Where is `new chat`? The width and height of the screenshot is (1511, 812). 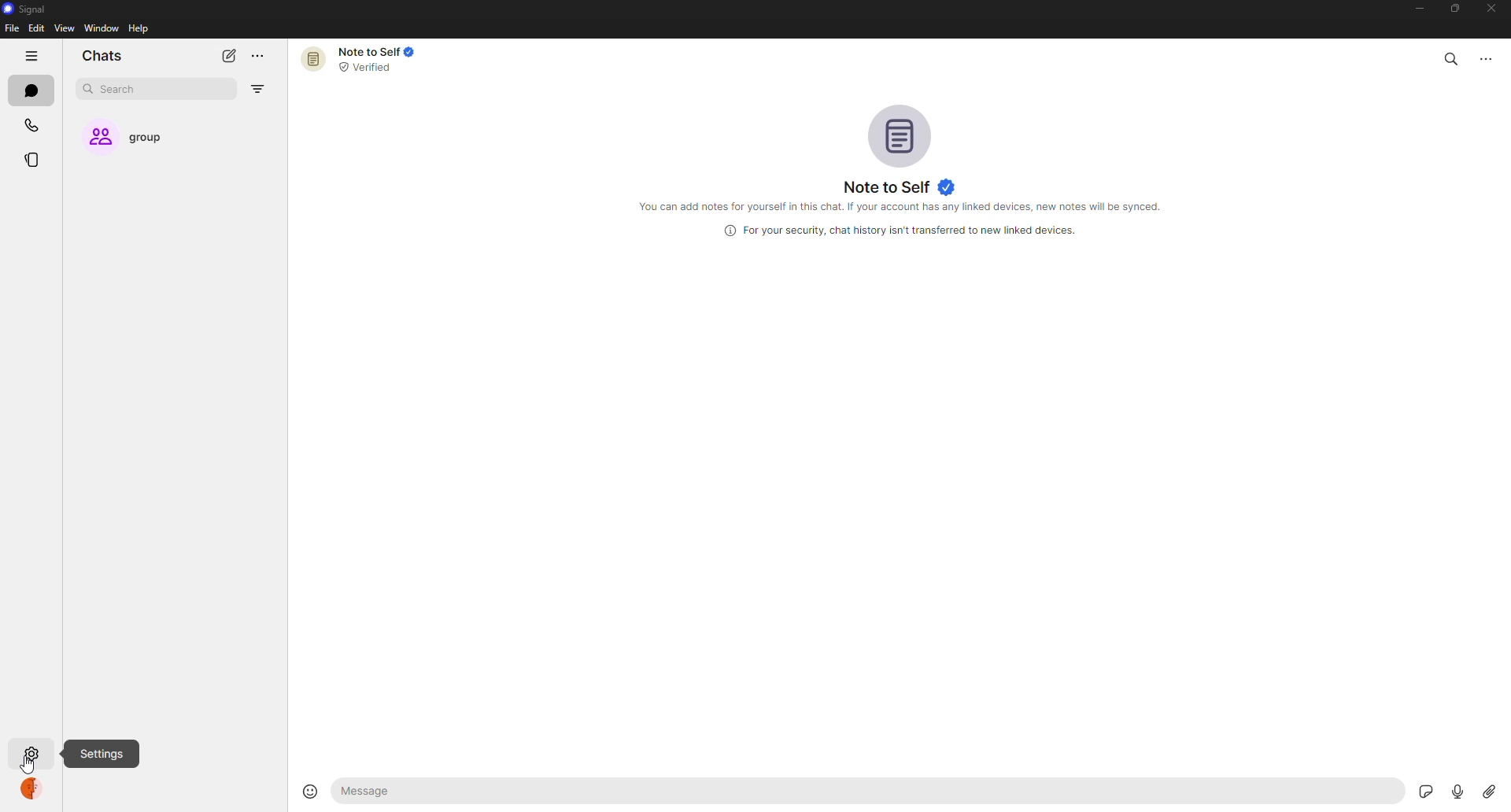
new chat is located at coordinates (228, 55).